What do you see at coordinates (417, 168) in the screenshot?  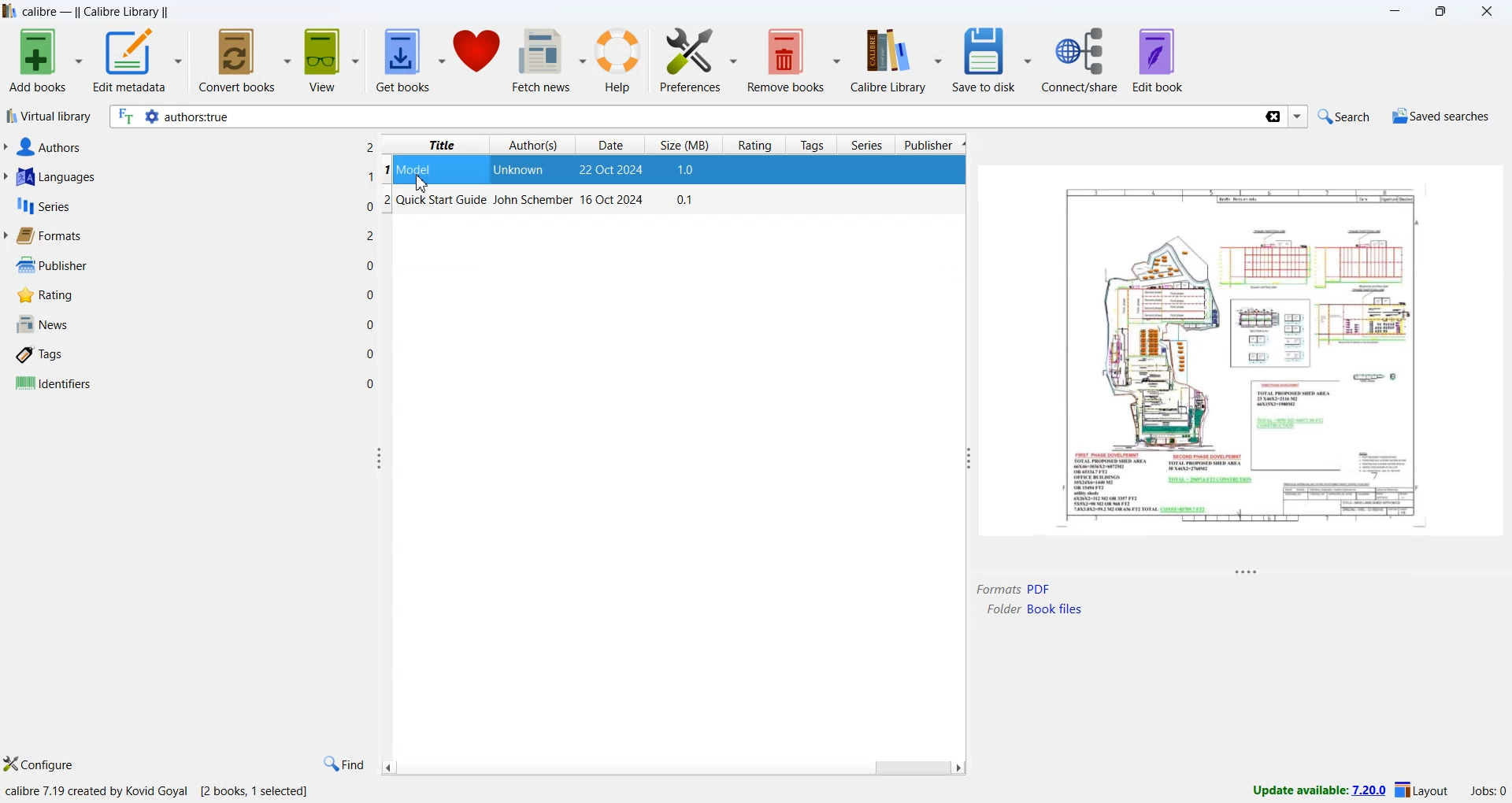 I see `model` at bounding box center [417, 168].